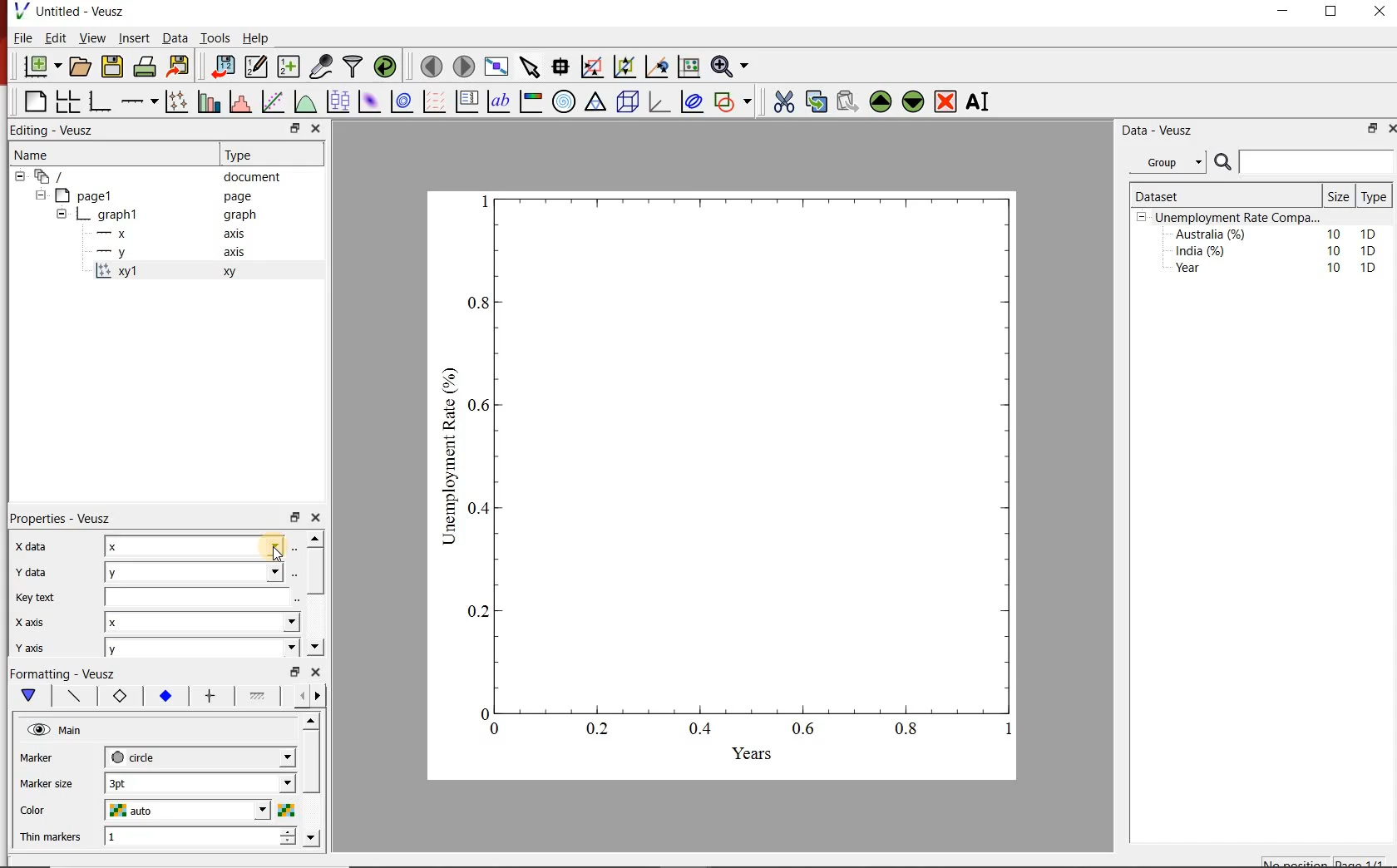 Image resolution: width=1397 pixels, height=868 pixels. What do you see at coordinates (317, 518) in the screenshot?
I see `close` at bounding box center [317, 518].